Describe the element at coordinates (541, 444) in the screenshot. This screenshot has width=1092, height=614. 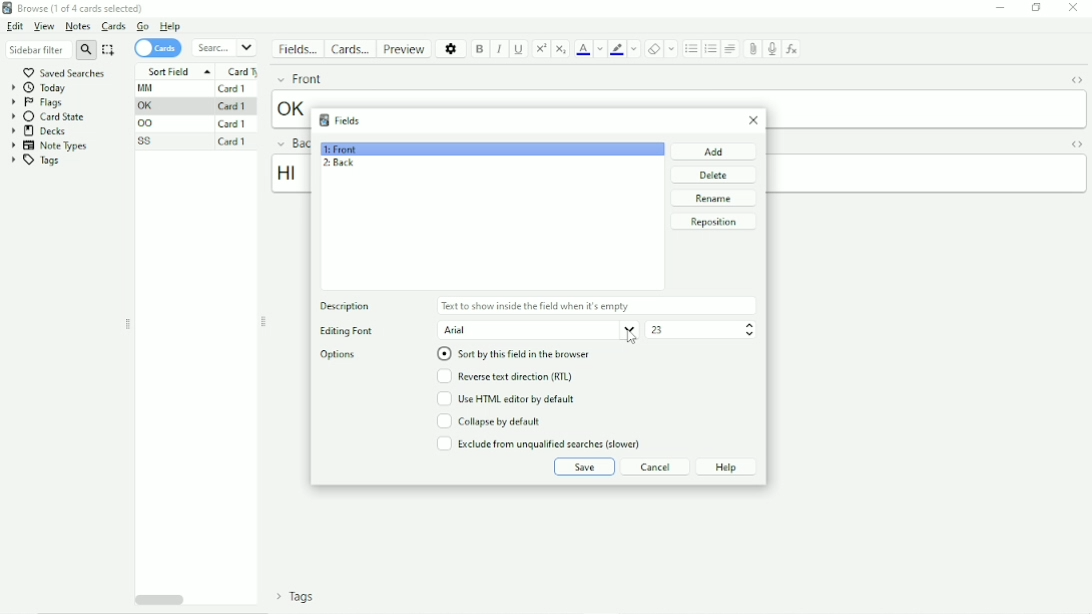
I see `Exclude from unqualified searches (slower)` at that location.